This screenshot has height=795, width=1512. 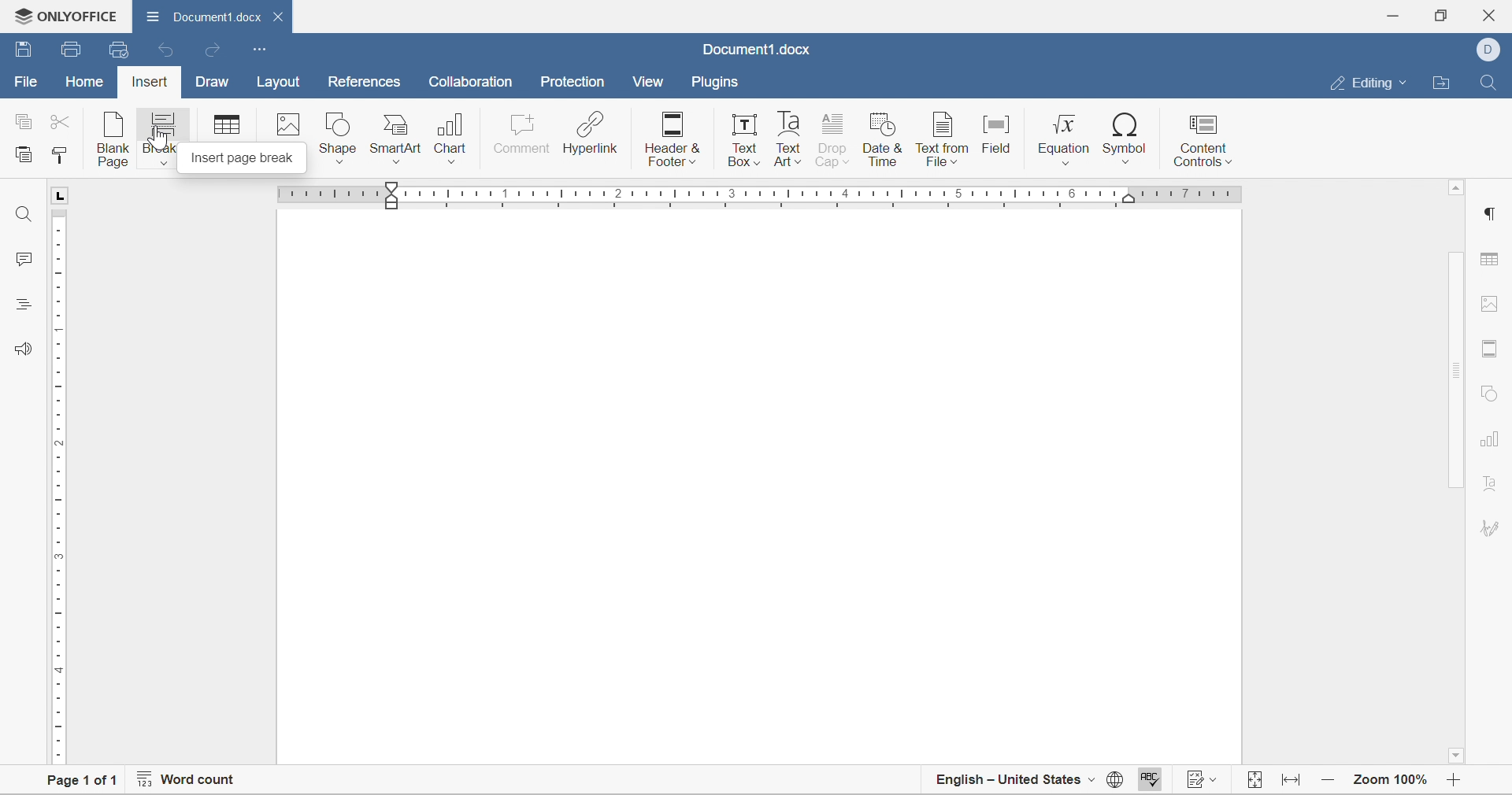 What do you see at coordinates (885, 142) in the screenshot?
I see `Date & Time` at bounding box center [885, 142].